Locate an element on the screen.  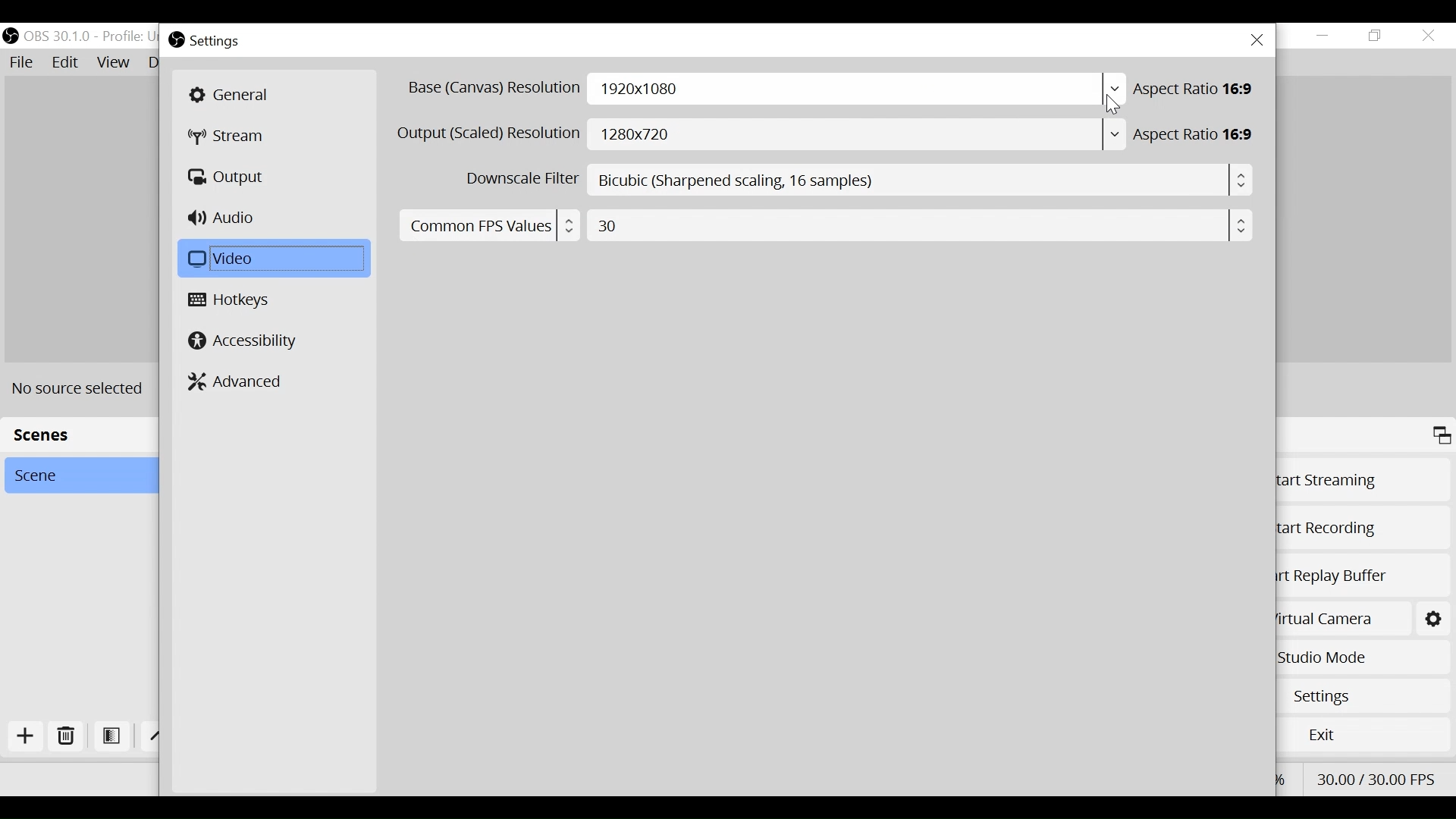
Settings is located at coordinates (1432, 617).